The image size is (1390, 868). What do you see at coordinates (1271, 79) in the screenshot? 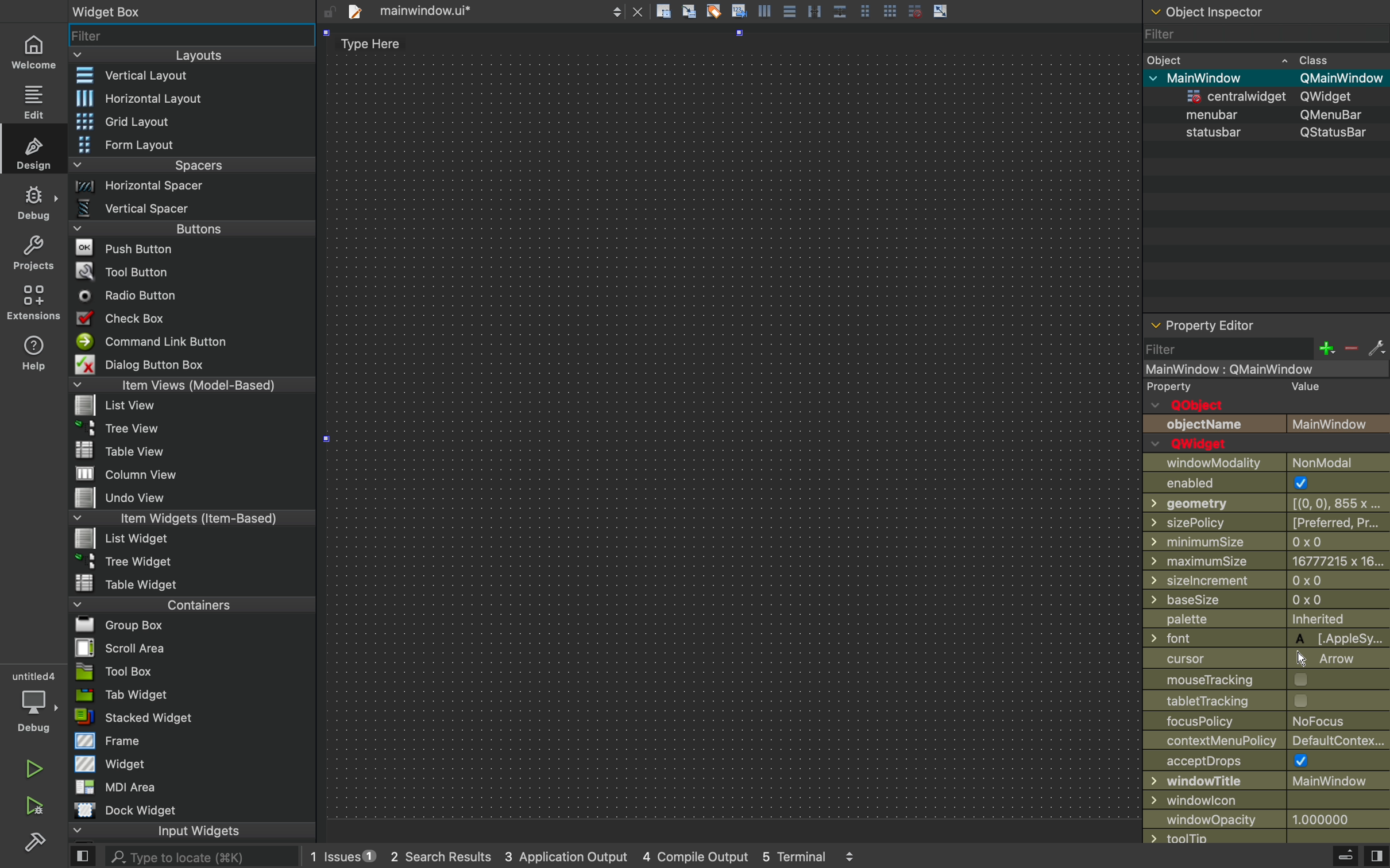
I see `mainwindow` at bounding box center [1271, 79].